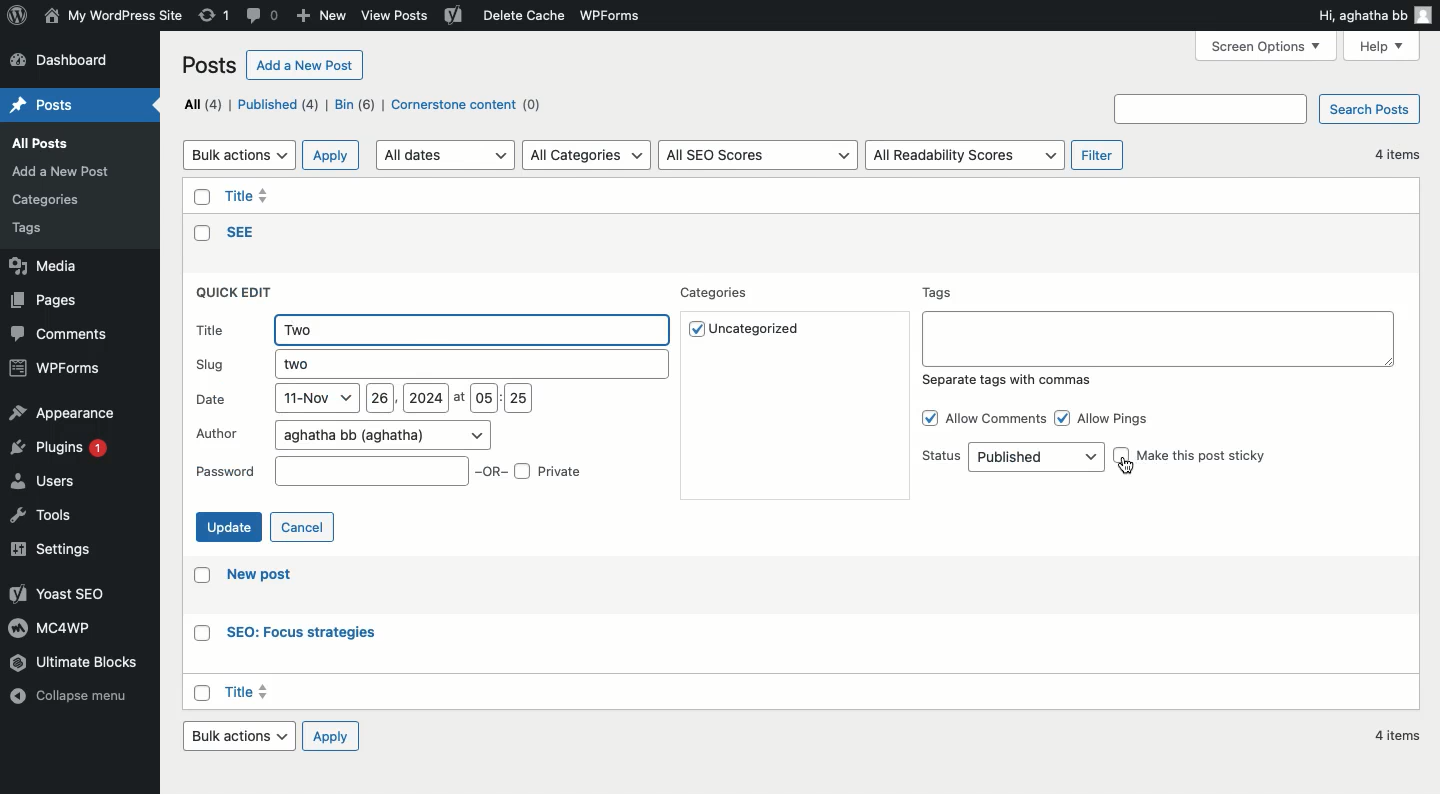  What do you see at coordinates (264, 578) in the screenshot?
I see `New post` at bounding box center [264, 578].